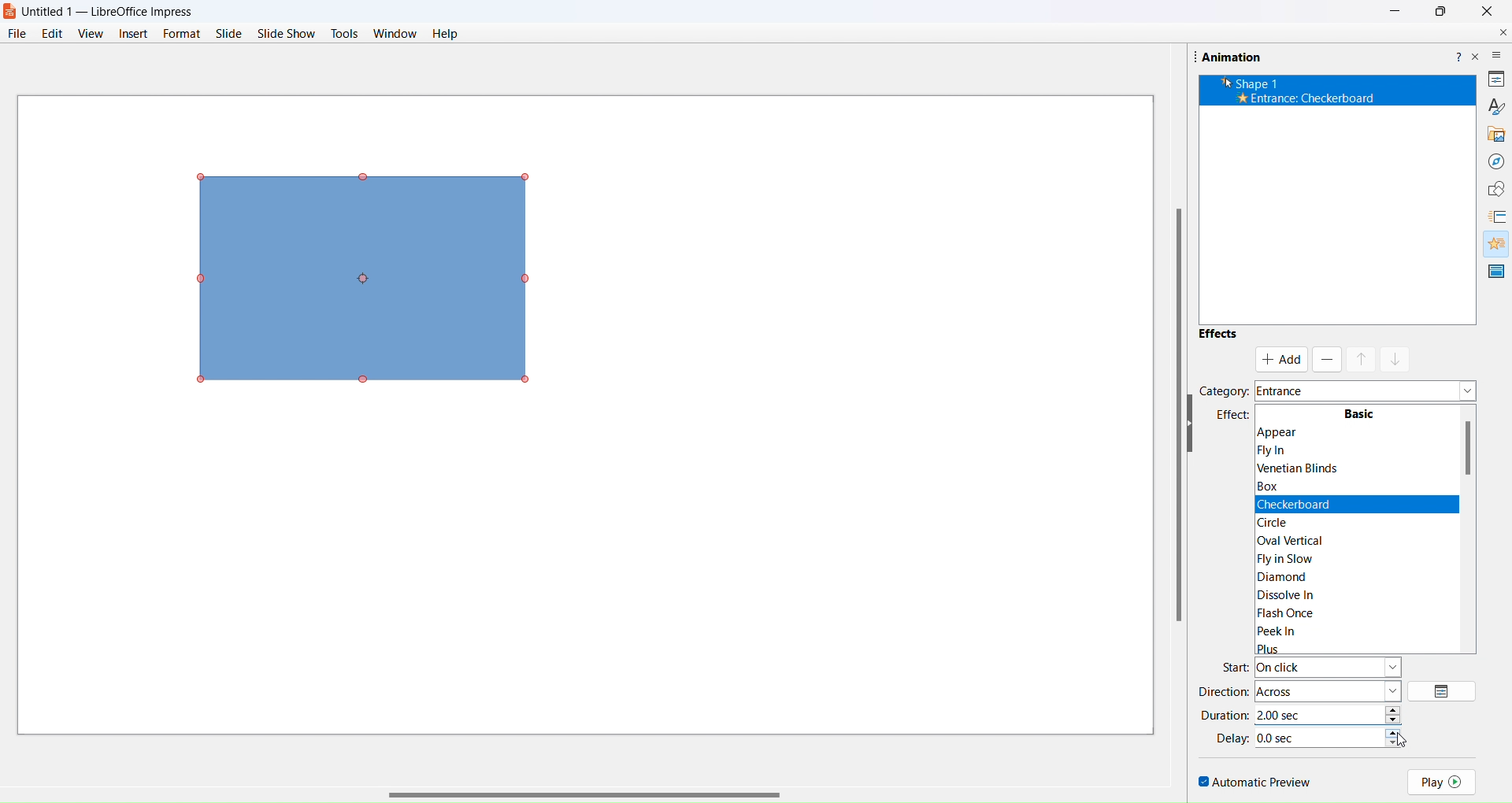  What do you see at coordinates (1395, 358) in the screenshot?
I see `mask down` at bounding box center [1395, 358].